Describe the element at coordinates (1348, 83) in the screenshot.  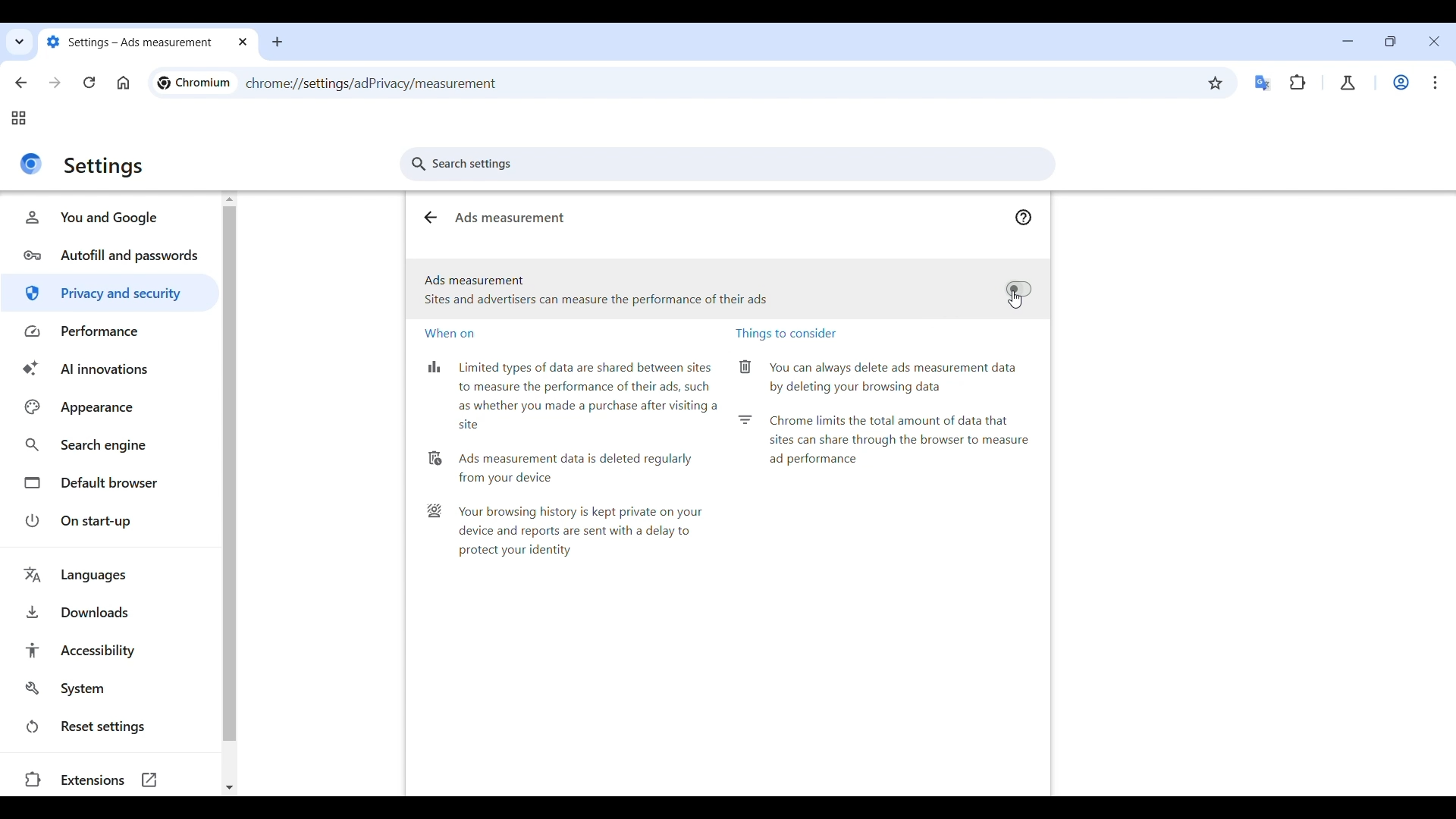
I see `Chrome labs` at that location.